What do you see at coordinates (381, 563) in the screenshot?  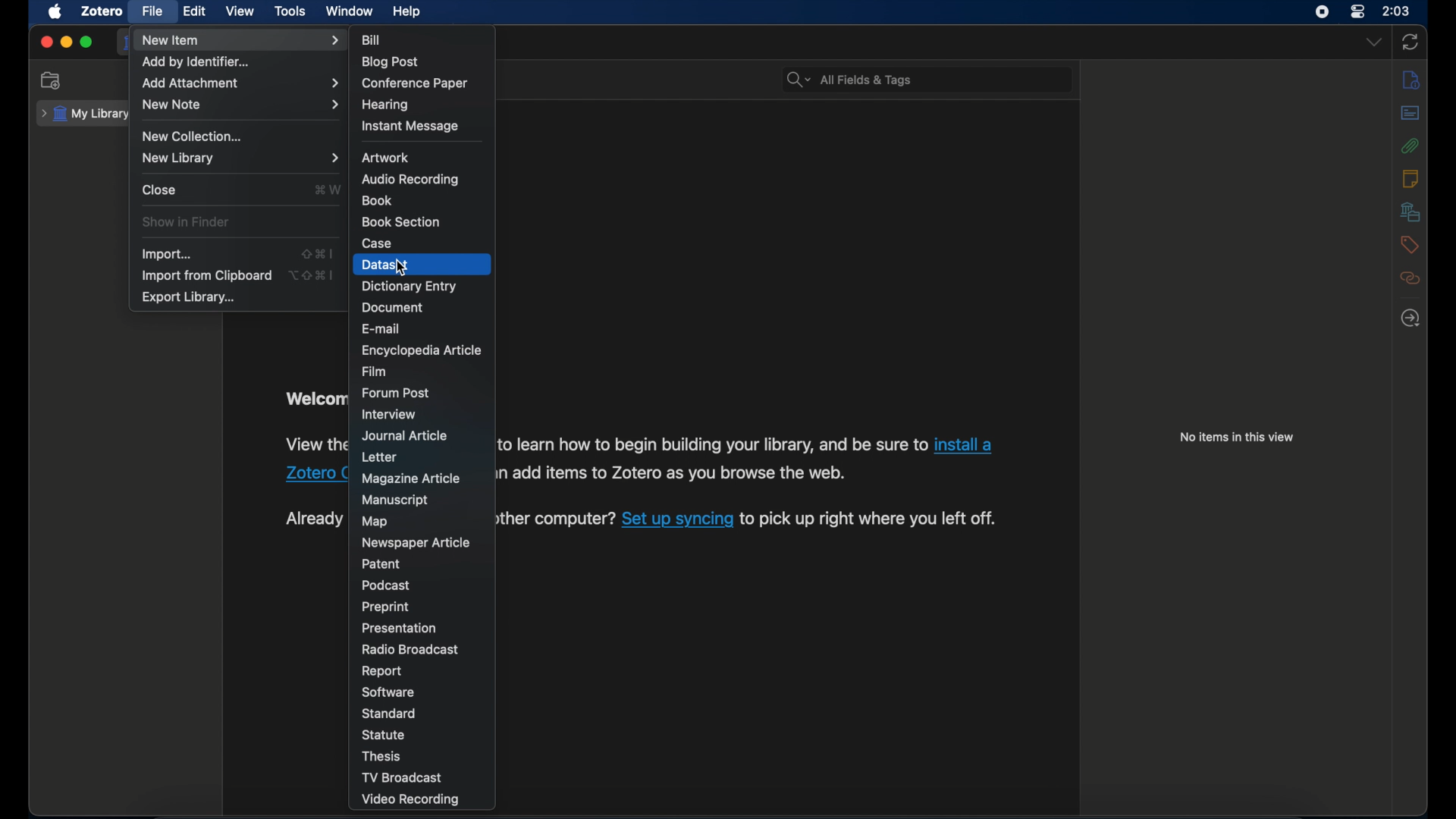 I see `patent` at bounding box center [381, 563].